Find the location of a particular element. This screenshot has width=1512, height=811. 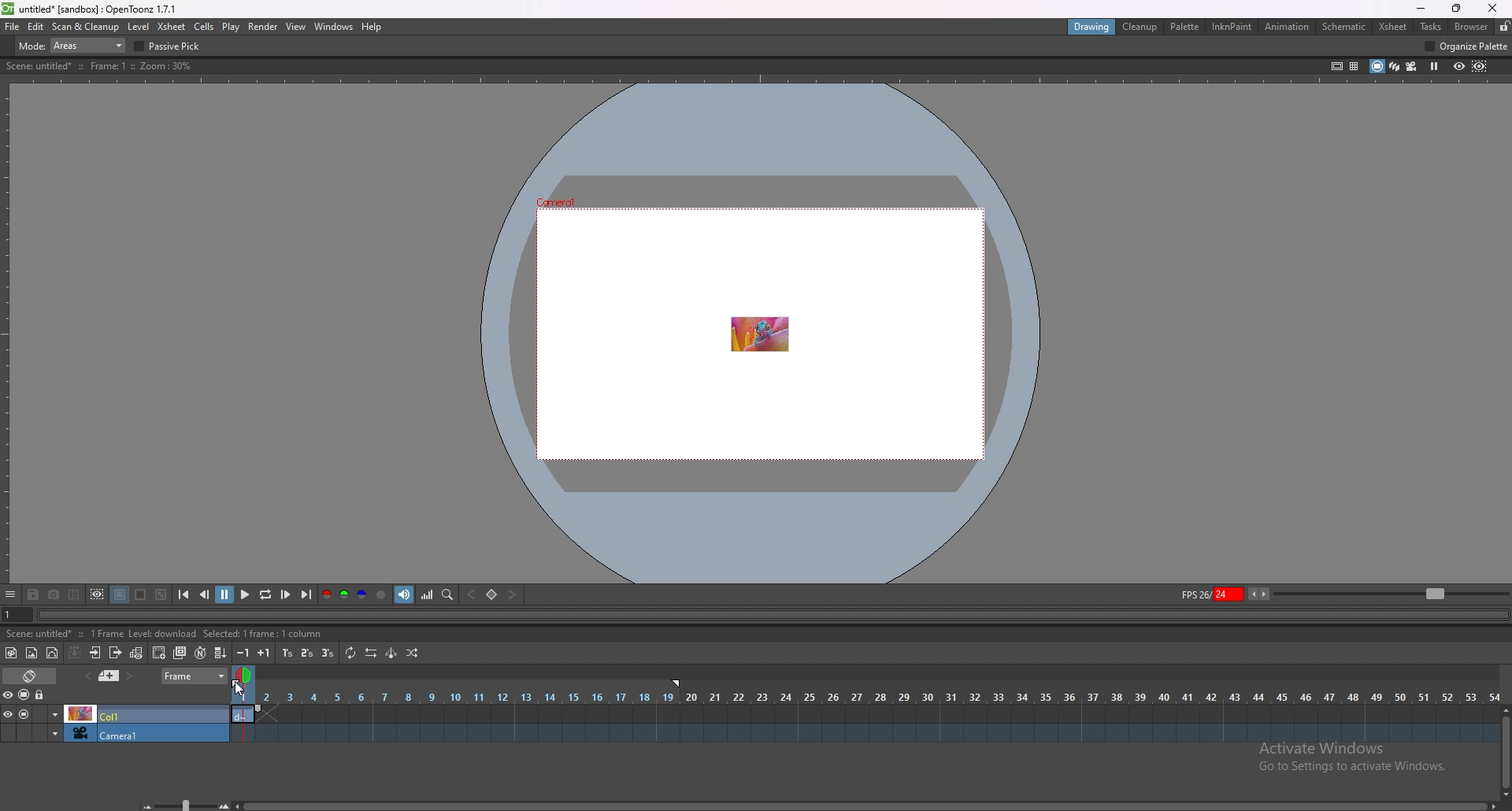

camera view is located at coordinates (1412, 66).